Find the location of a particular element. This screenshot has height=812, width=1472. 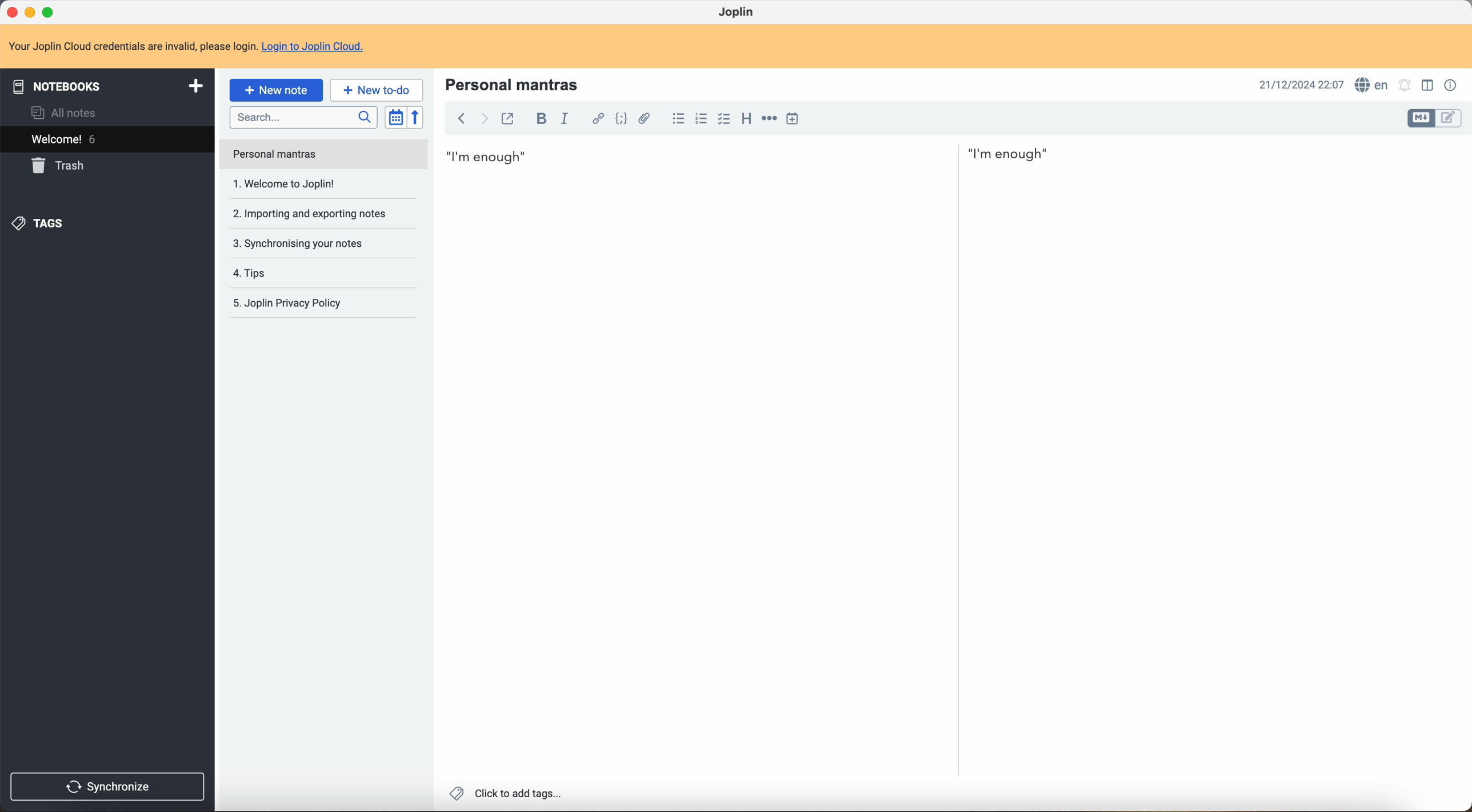

body text is located at coordinates (1210, 450).